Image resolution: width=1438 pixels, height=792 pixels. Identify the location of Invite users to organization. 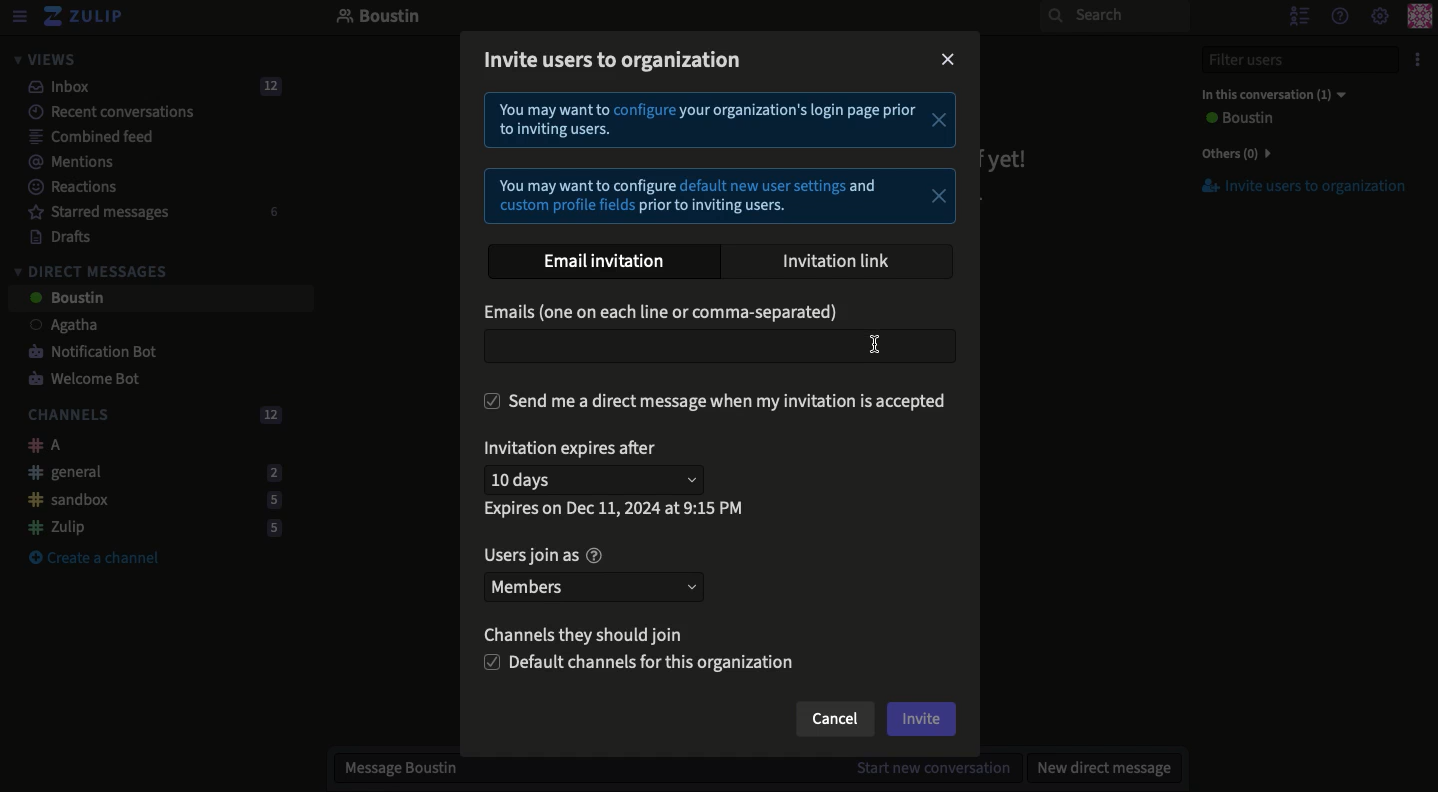
(1293, 187).